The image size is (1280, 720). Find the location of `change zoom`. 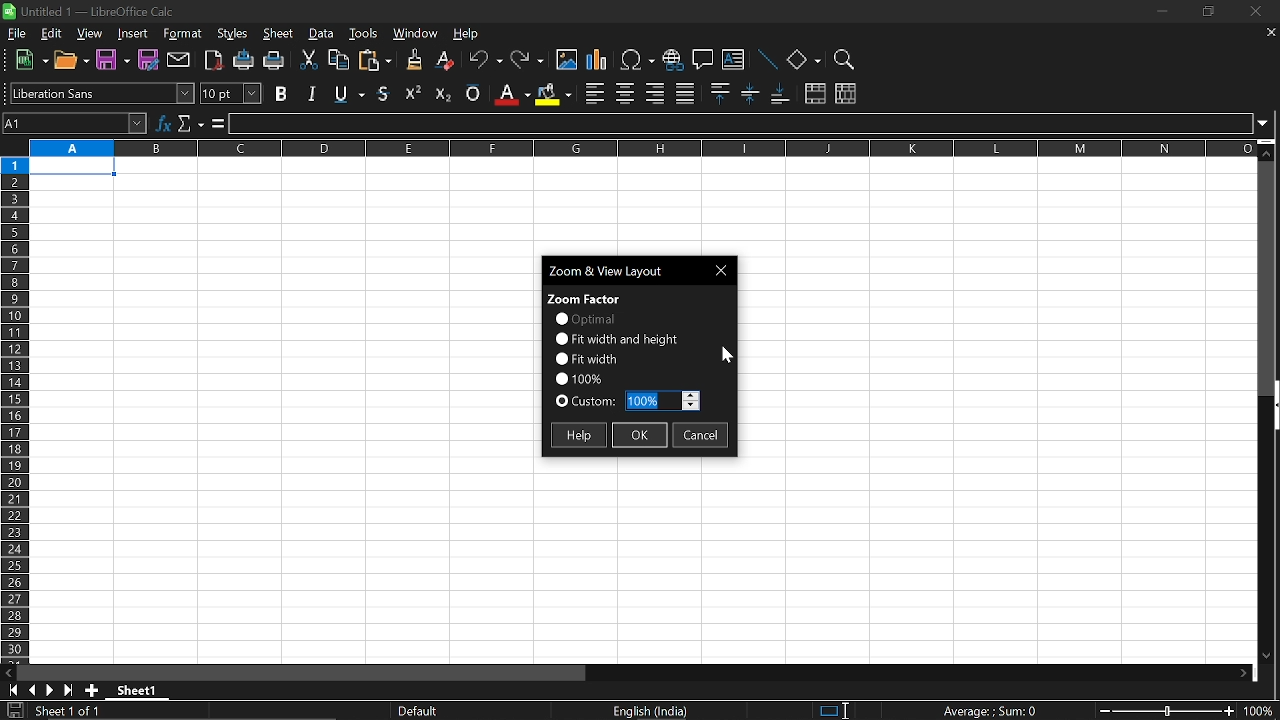

change zoom is located at coordinates (1166, 712).